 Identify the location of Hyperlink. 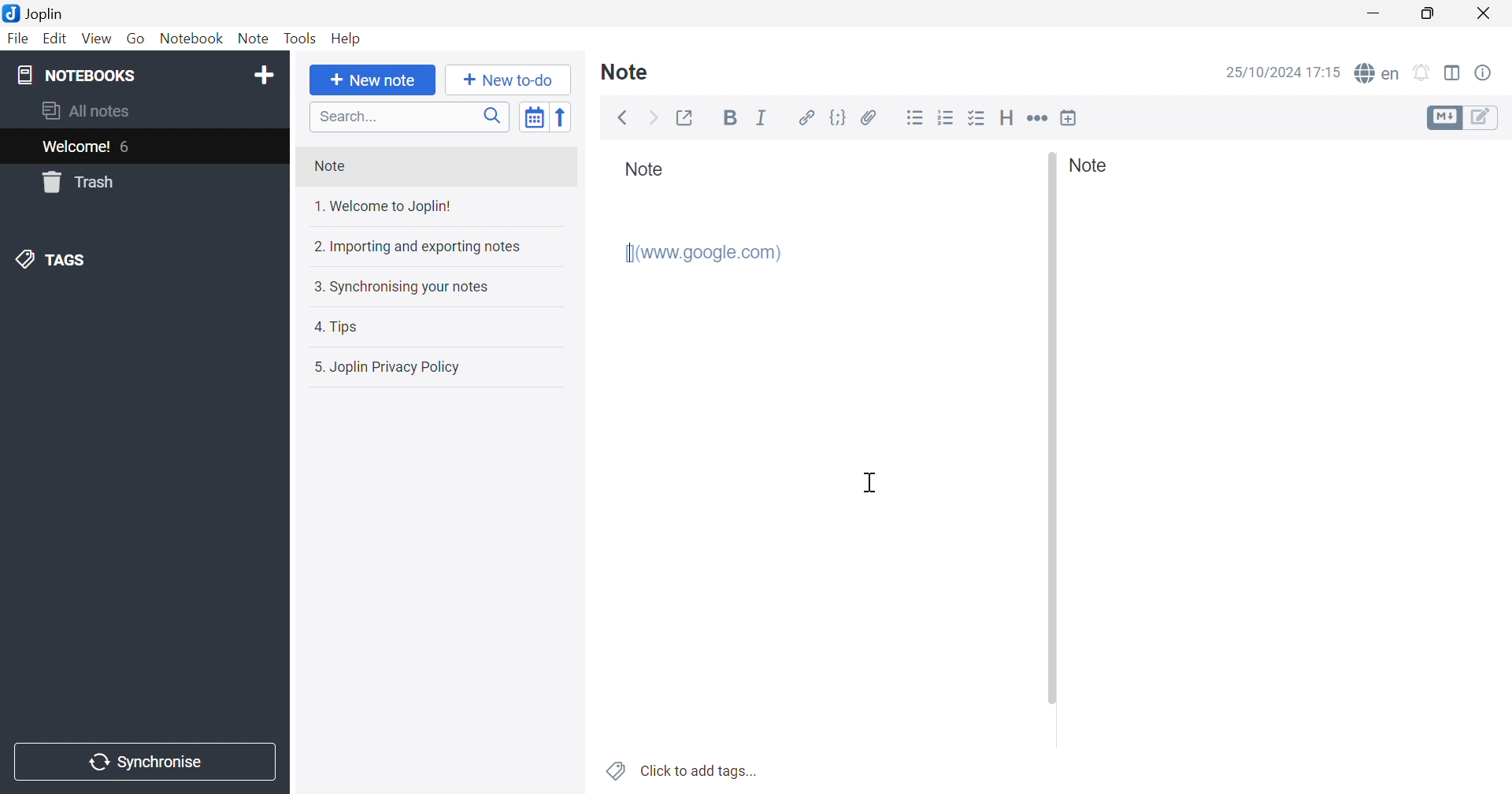
(803, 117).